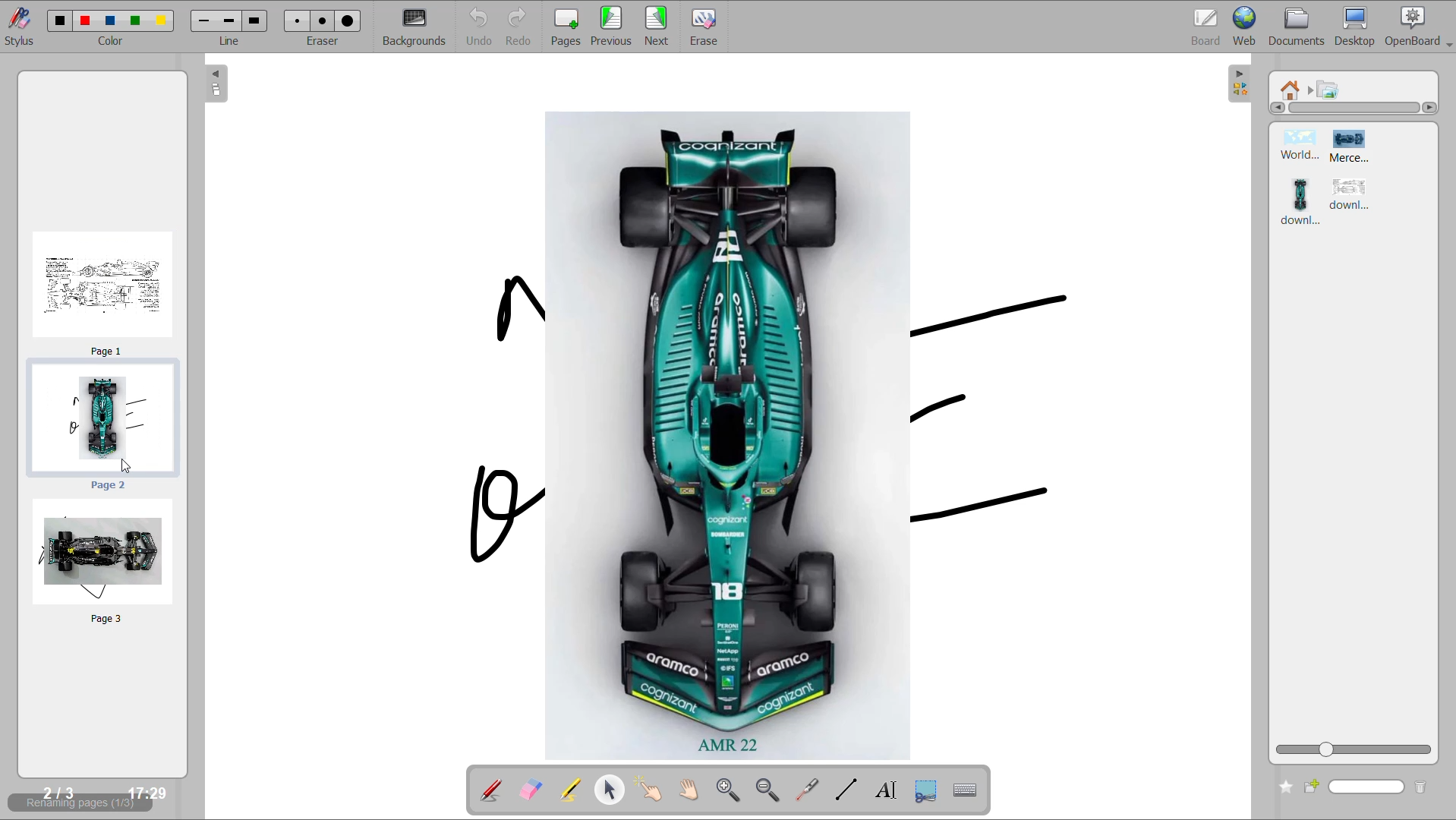 The width and height of the screenshot is (1456, 820). Describe the element at coordinates (651, 790) in the screenshot. I see `interact with items` at that location.